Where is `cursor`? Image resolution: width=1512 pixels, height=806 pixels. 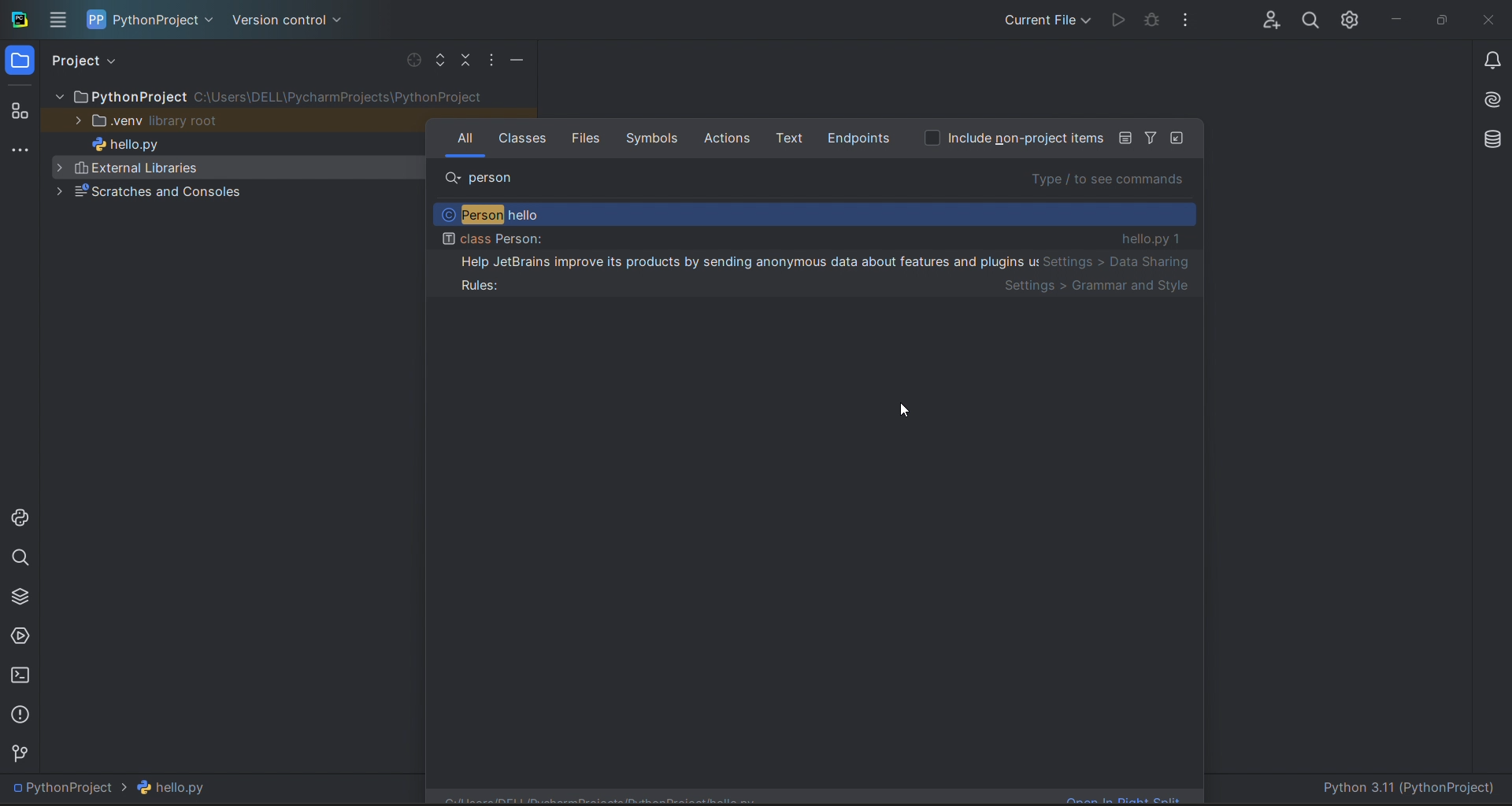 cursor is located at coordinates (906, 410).